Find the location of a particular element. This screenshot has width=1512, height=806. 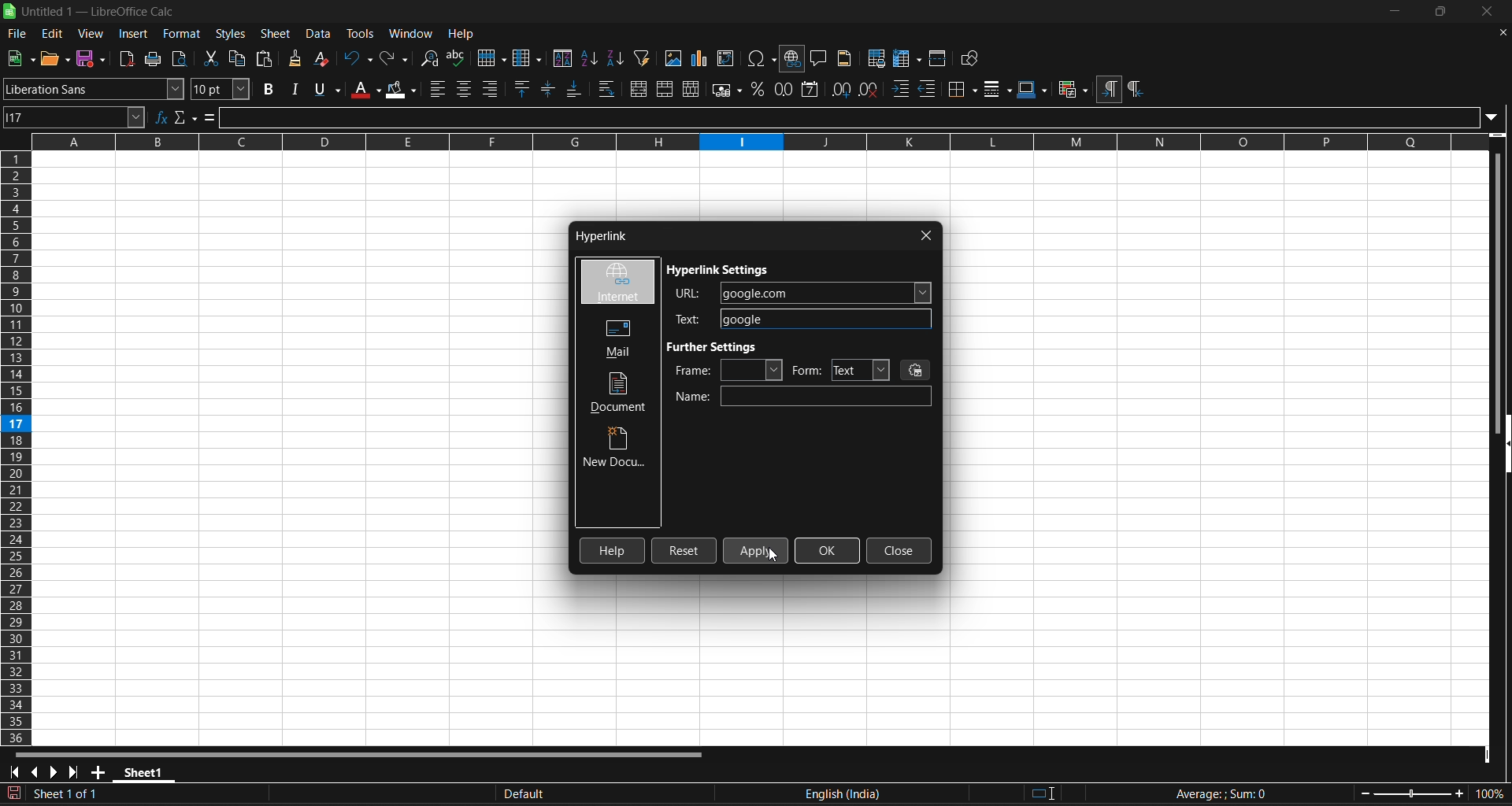

insert is located at coordinates (135, 34).